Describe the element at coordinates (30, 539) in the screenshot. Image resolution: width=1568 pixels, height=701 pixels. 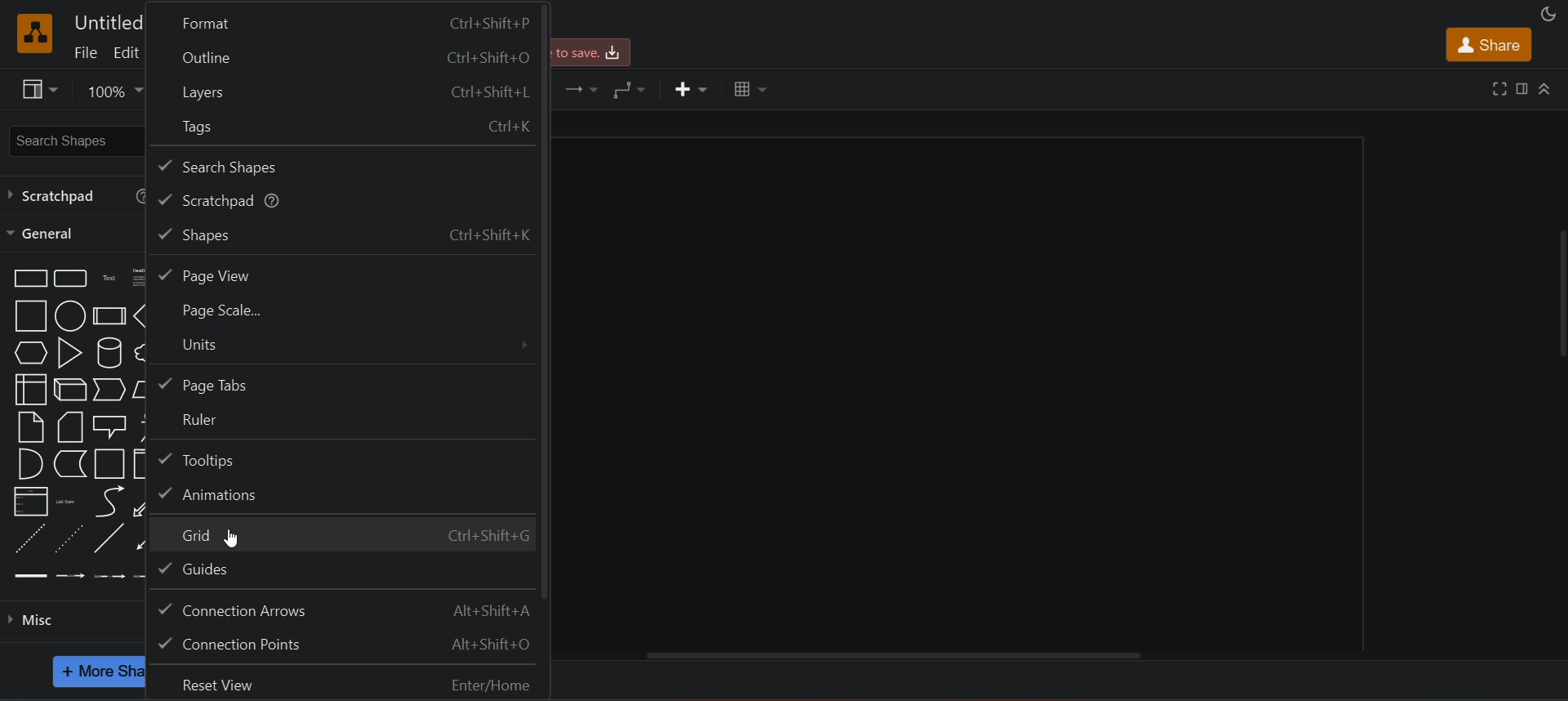
I see `dashed linr` at that location.